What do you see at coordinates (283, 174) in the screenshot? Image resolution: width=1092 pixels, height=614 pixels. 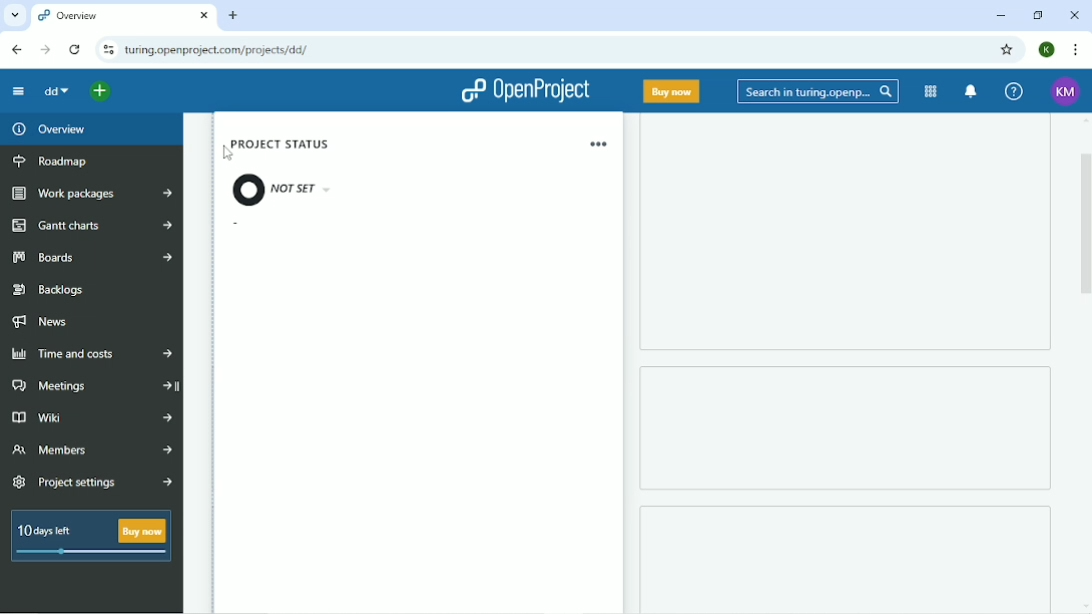 I see `Project status` at bounding box center [283, 174].